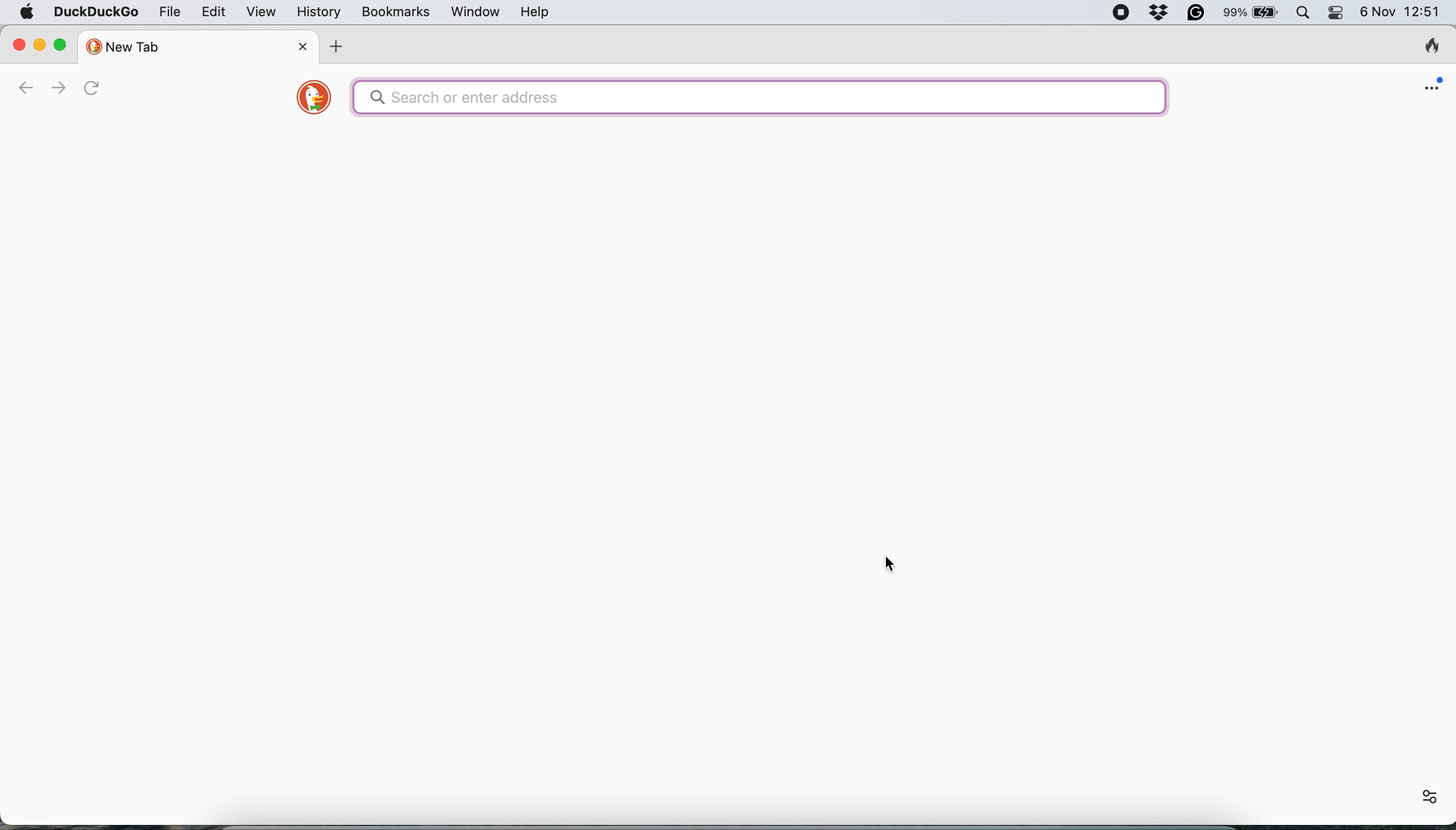  What do you see at coordinates (212, 15) in the screenshot?
I see `edit` at bounding box center [212, 15].